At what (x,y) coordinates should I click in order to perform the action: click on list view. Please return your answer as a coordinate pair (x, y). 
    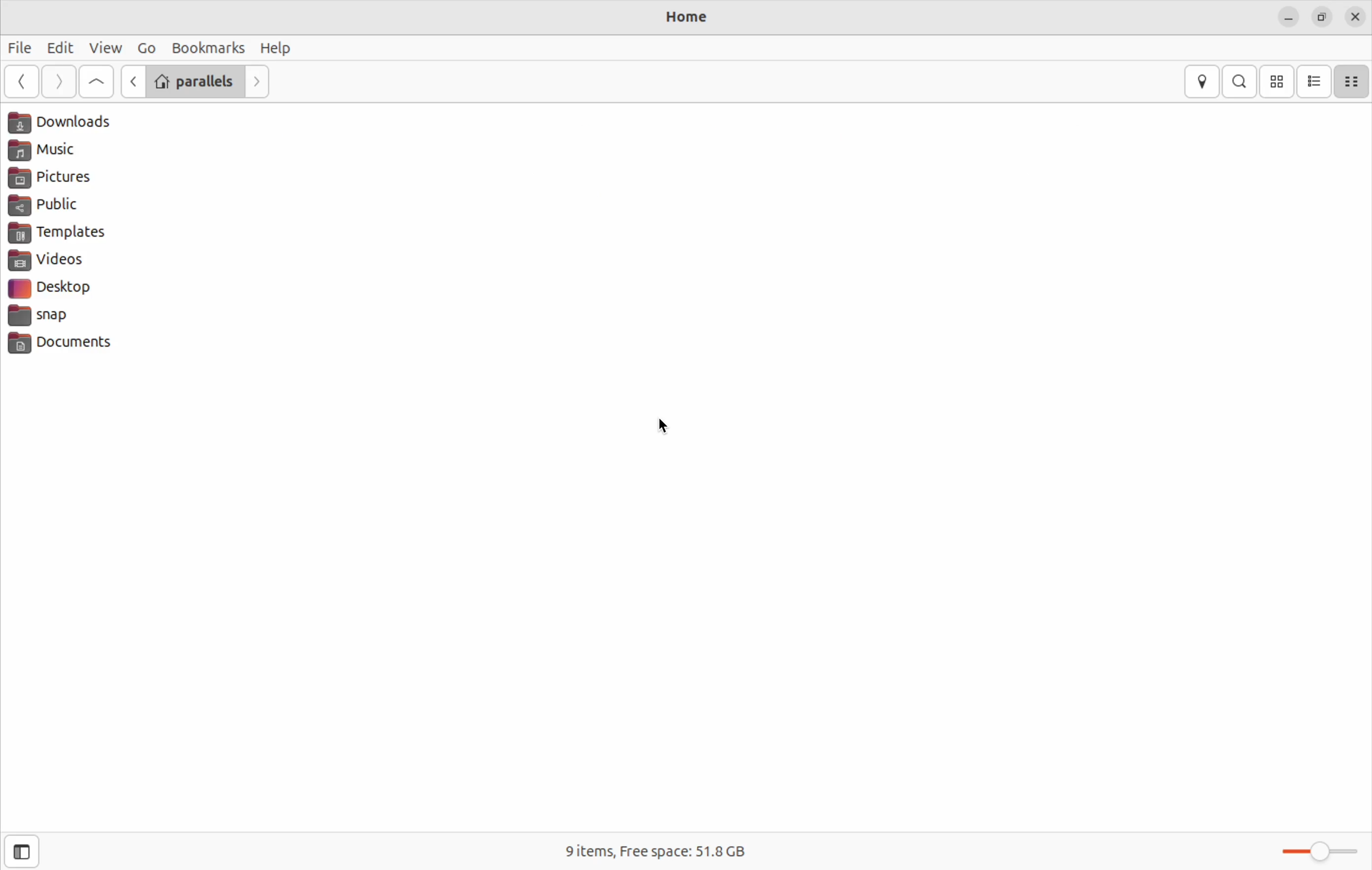
    Looking at the image, I should click on (1315, 81).